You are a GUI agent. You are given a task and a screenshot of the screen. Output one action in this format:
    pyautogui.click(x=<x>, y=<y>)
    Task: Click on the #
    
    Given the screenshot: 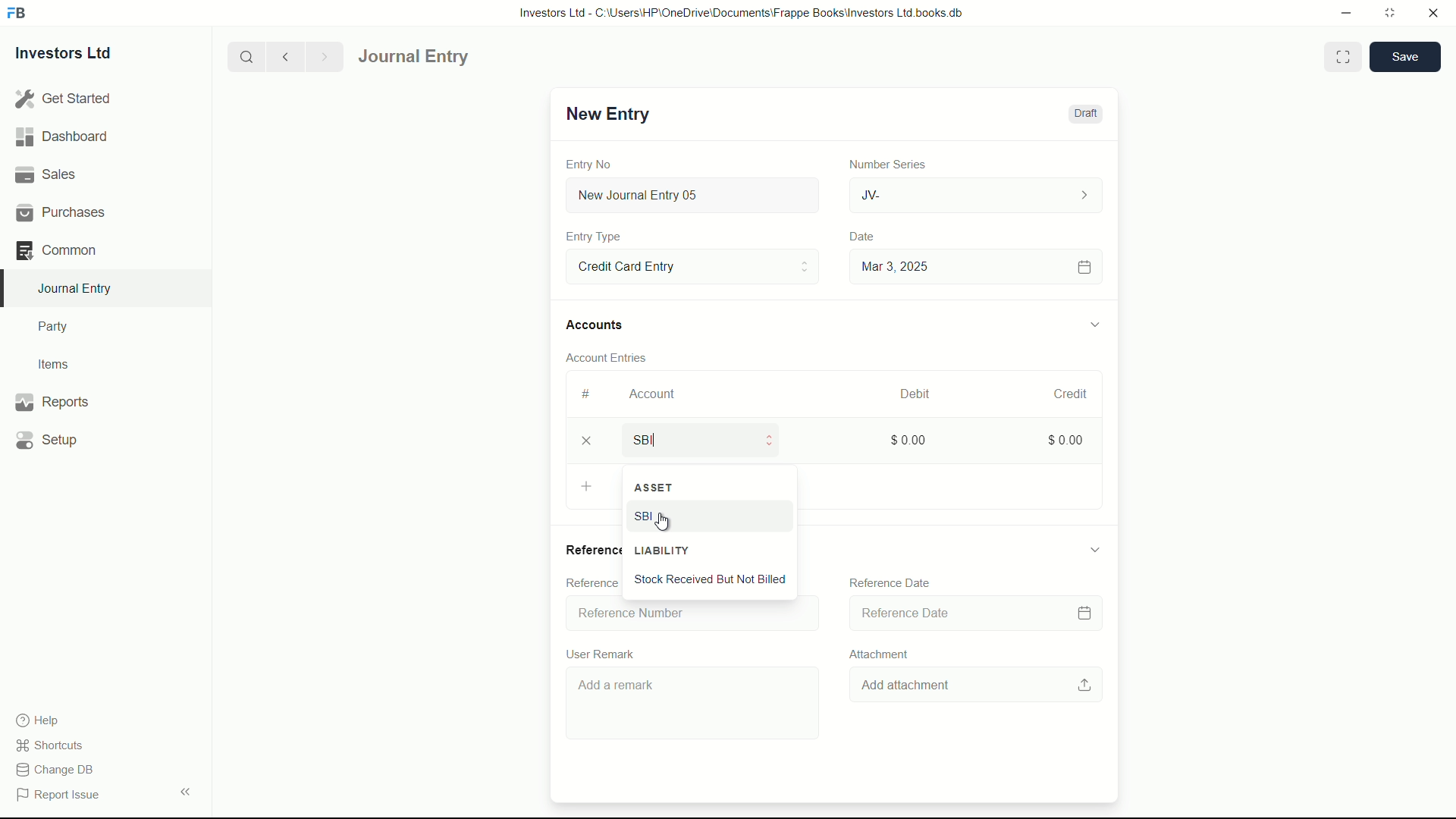 What is the action you would take?
    pyautogui.click(x=587, y=394)
    